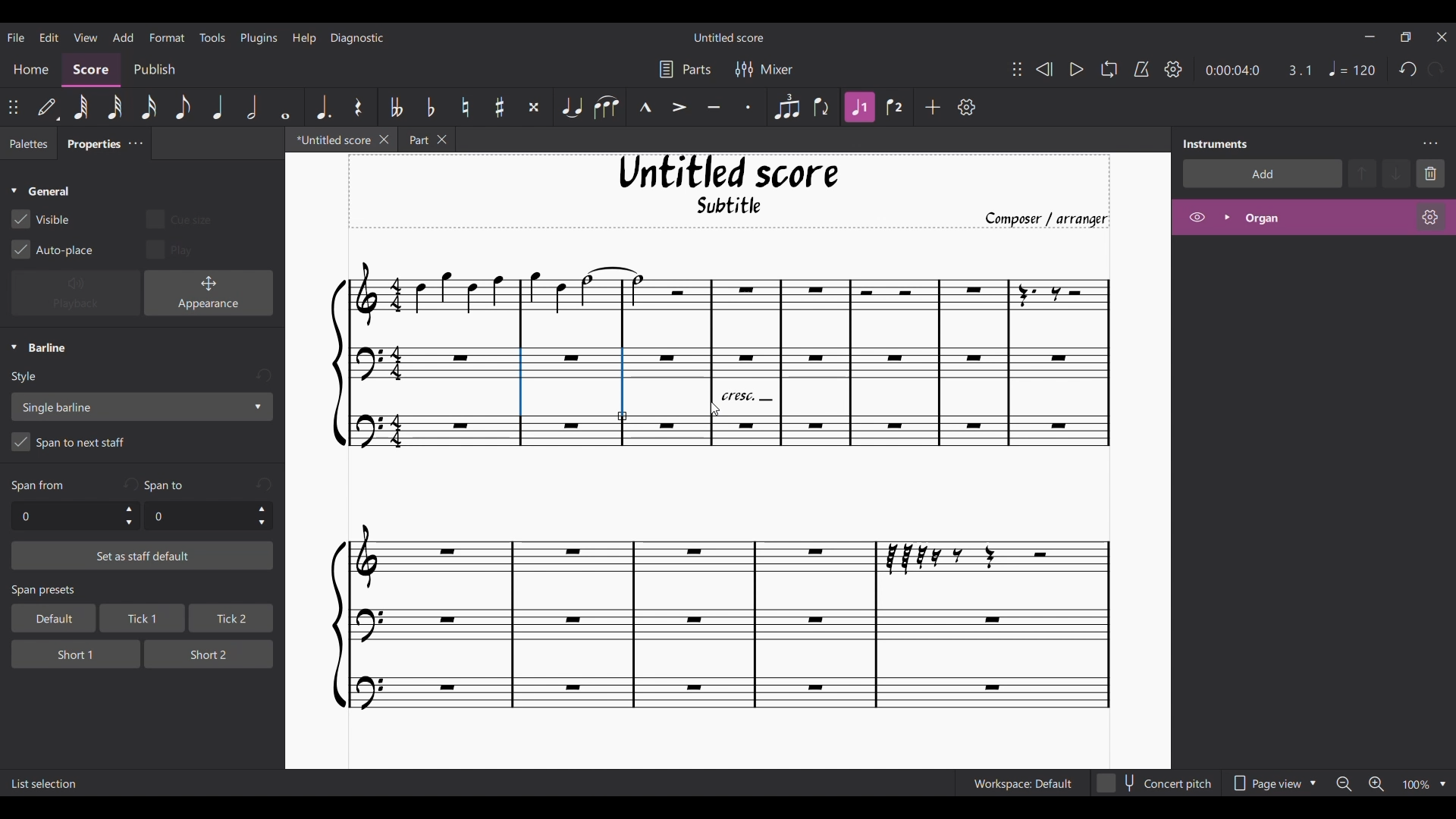 The image size is (1456, 819). I want to click on Cursor clicking on Barline, so click(714, 409).